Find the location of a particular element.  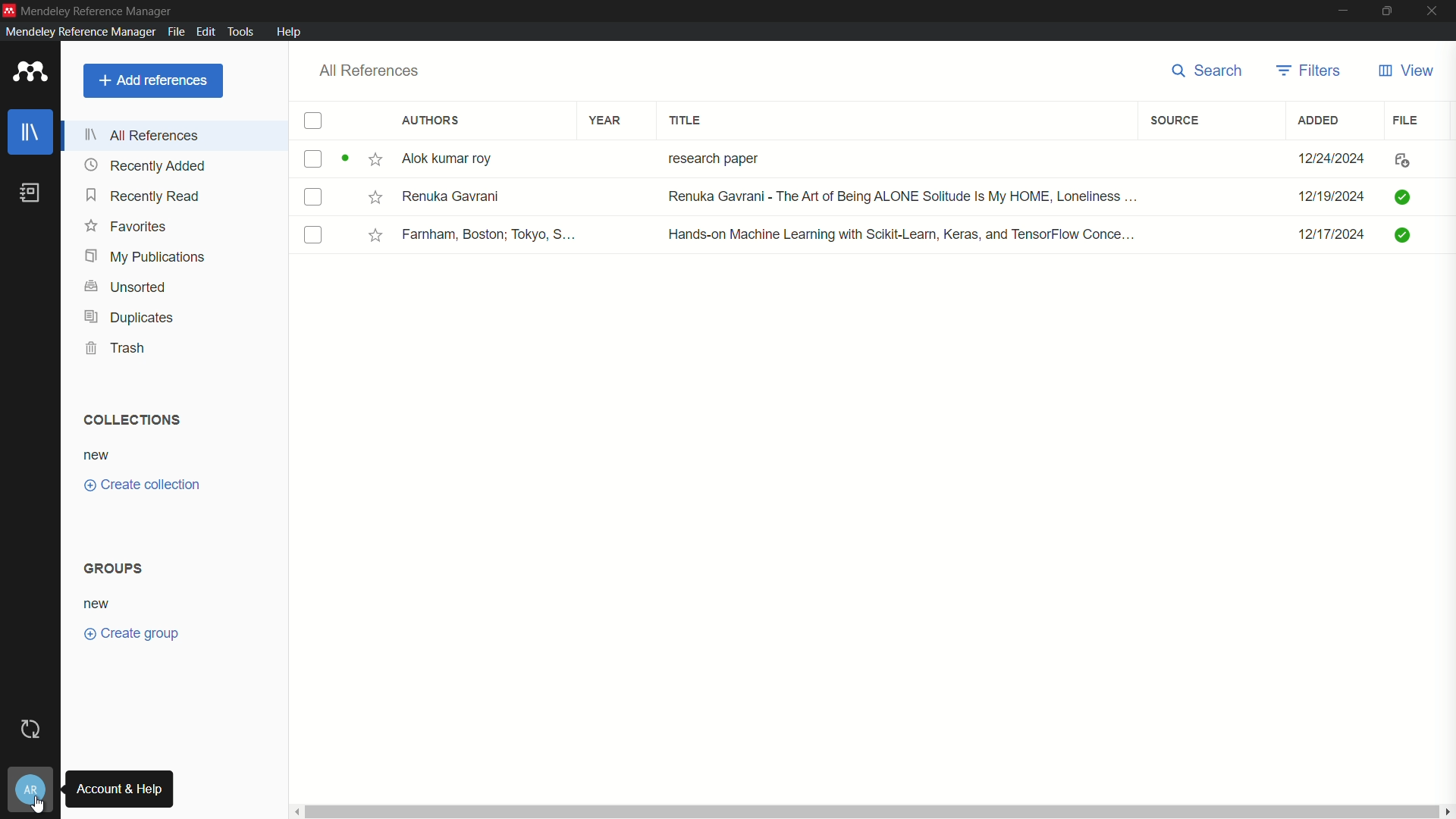

check is located at coordinates (311, 197).